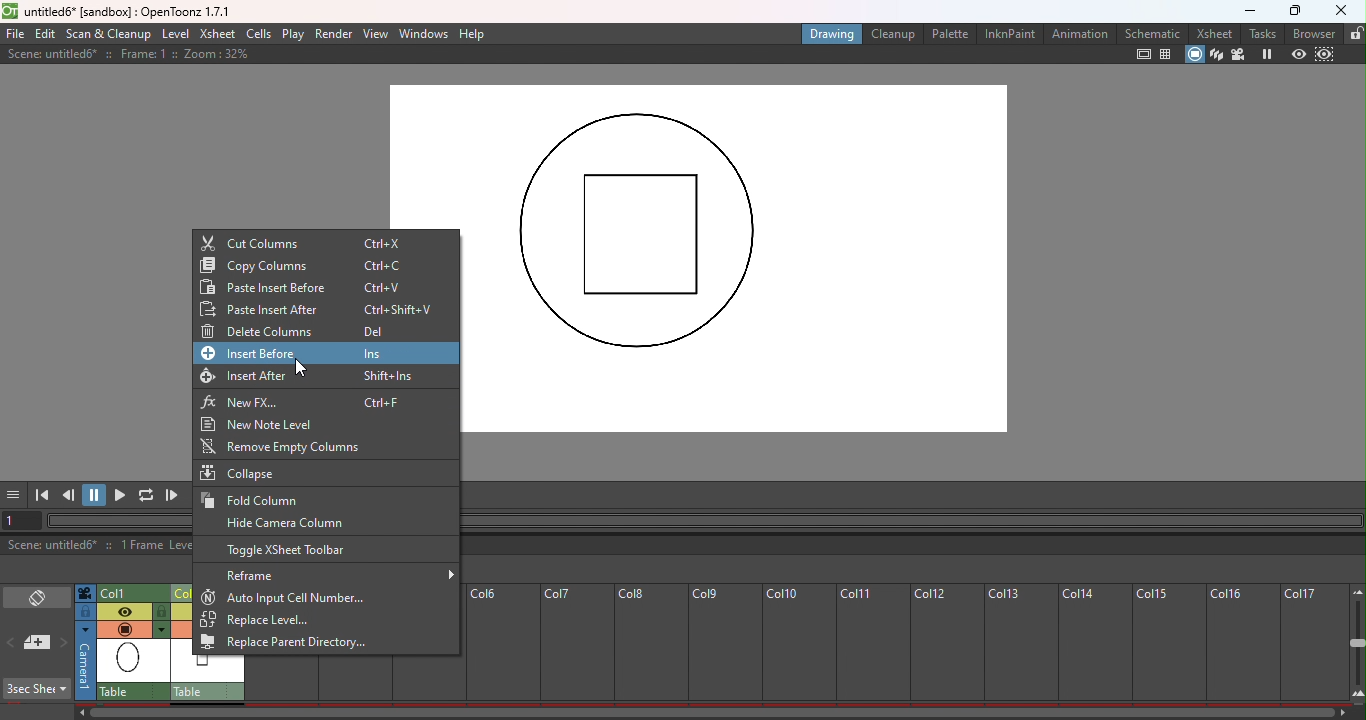 The image size is (1366, 720). What do you see at coordinates (325, 241) in the screenshot?
I see `Cut columns` at bounding box center [325, 241].